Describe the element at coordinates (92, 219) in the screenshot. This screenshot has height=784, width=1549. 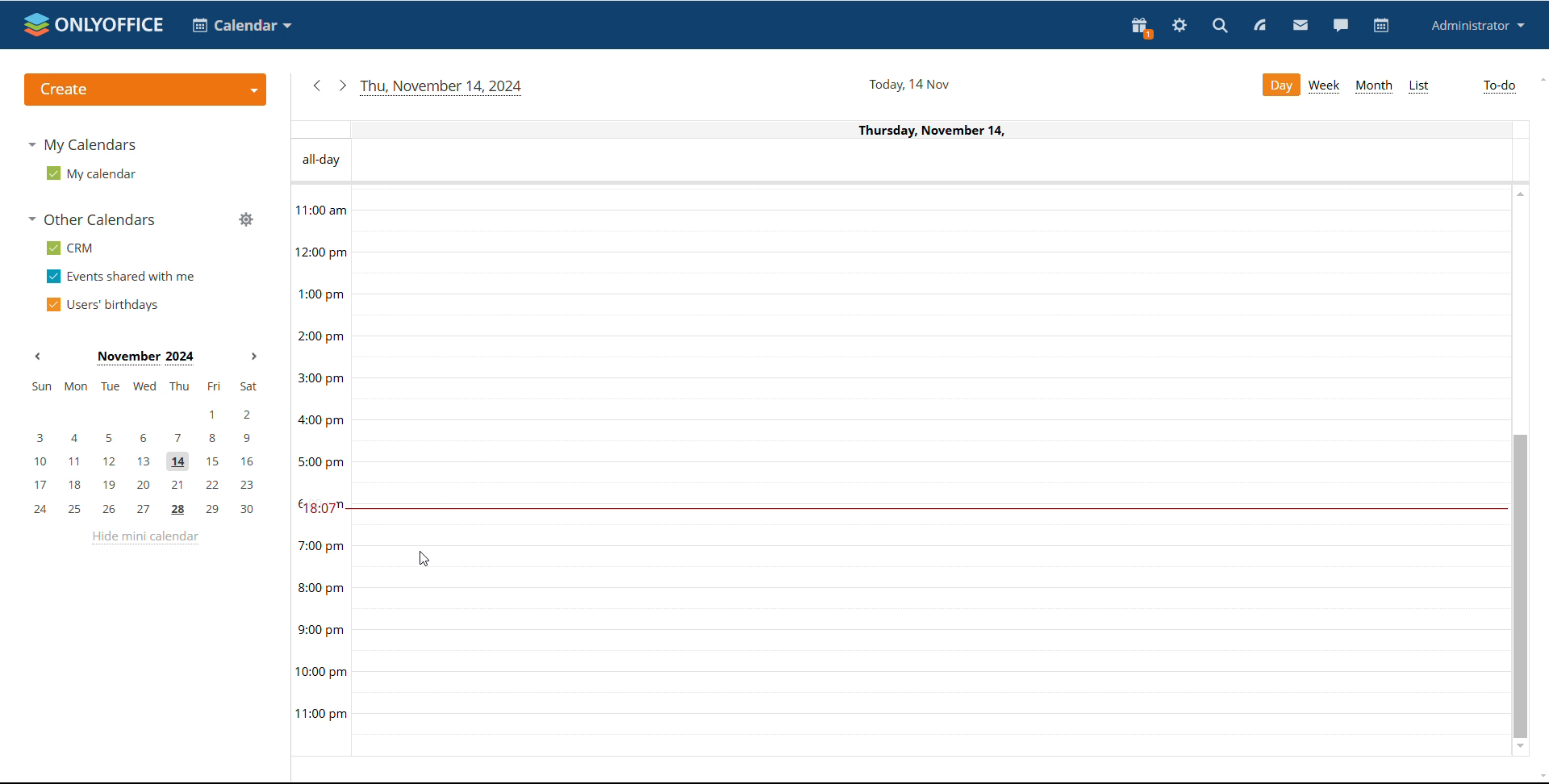
I see `other calendars` at that location.